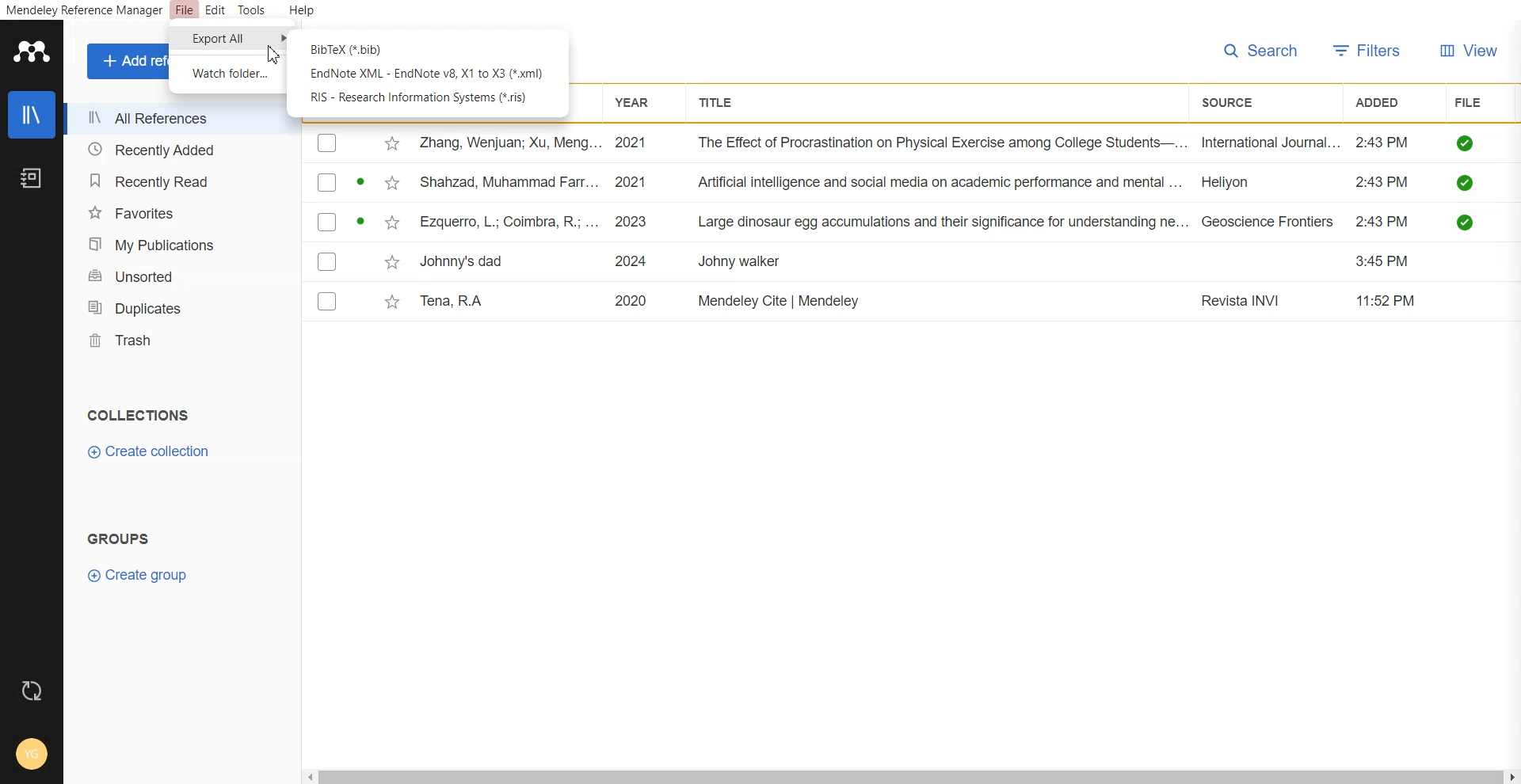 The height and width of the screenshot is (784, 1521). What do you see at coordinates (1388, 300) in the screenshot?
I see `11:52 PM` at bounding box center [1388, 300].